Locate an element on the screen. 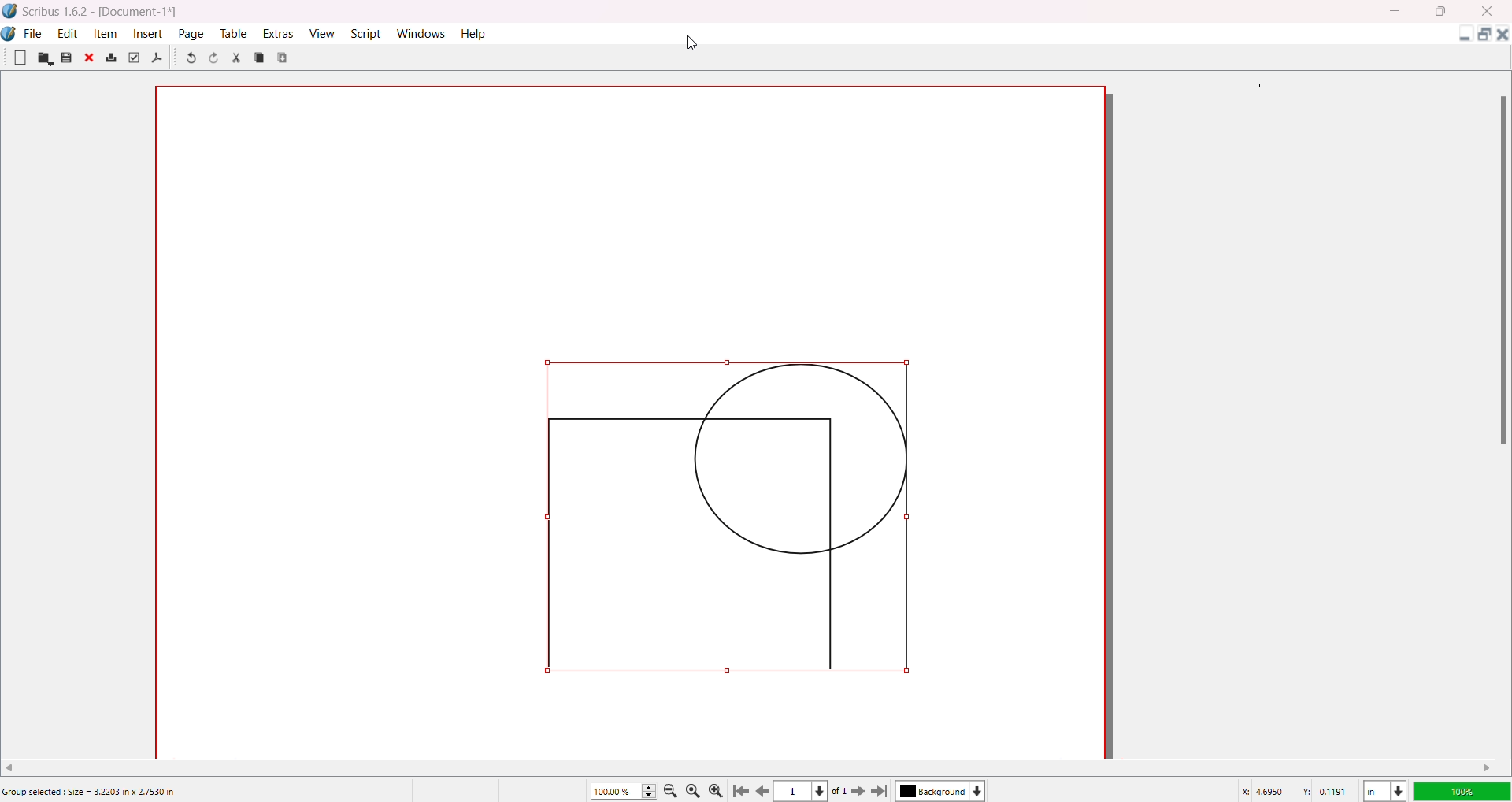 The width and height of the screenshot is (1512, 802). Script is located at coordinates (368, 32).